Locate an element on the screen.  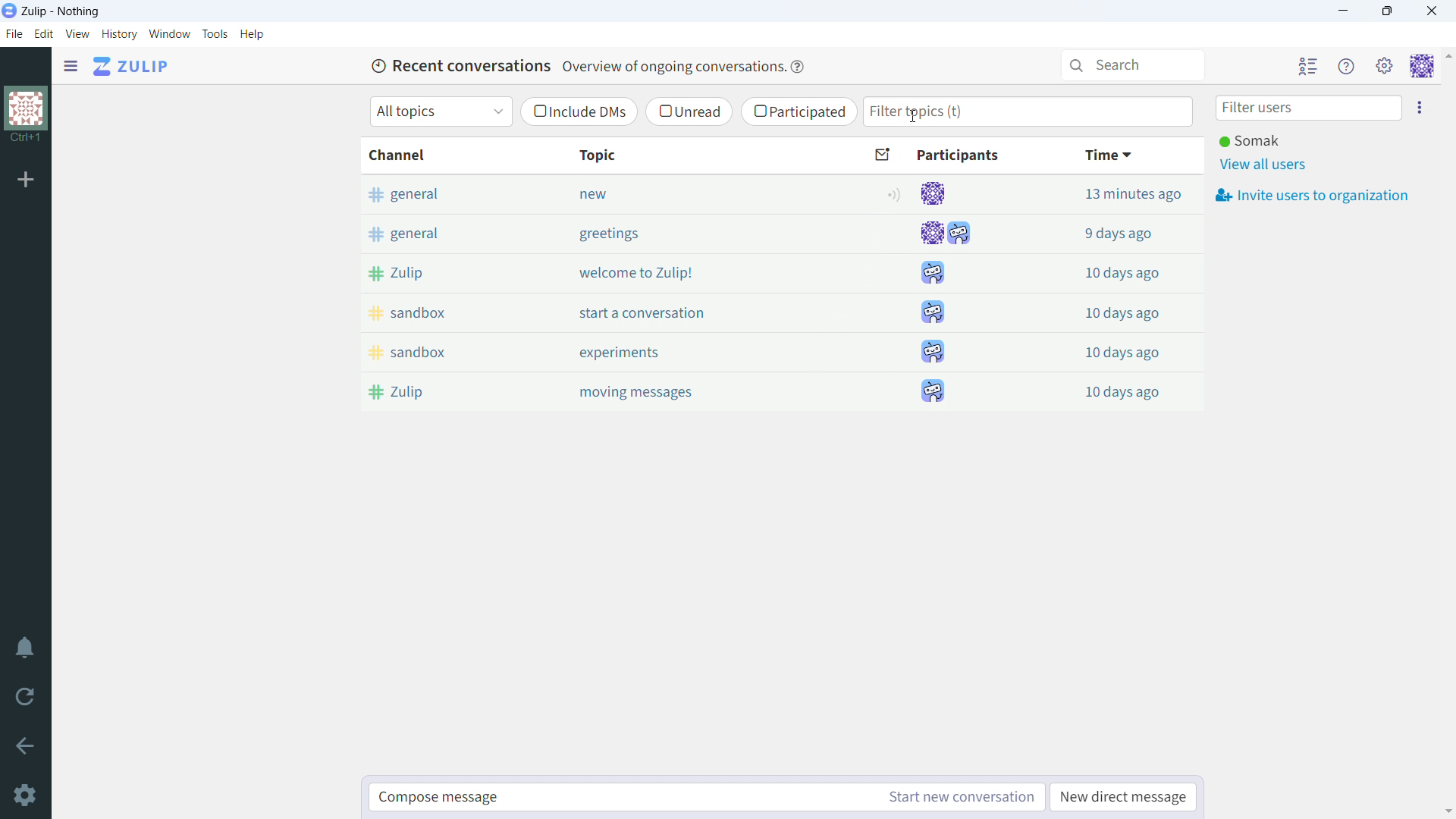
main menu is located at coordinates (1386, 67).